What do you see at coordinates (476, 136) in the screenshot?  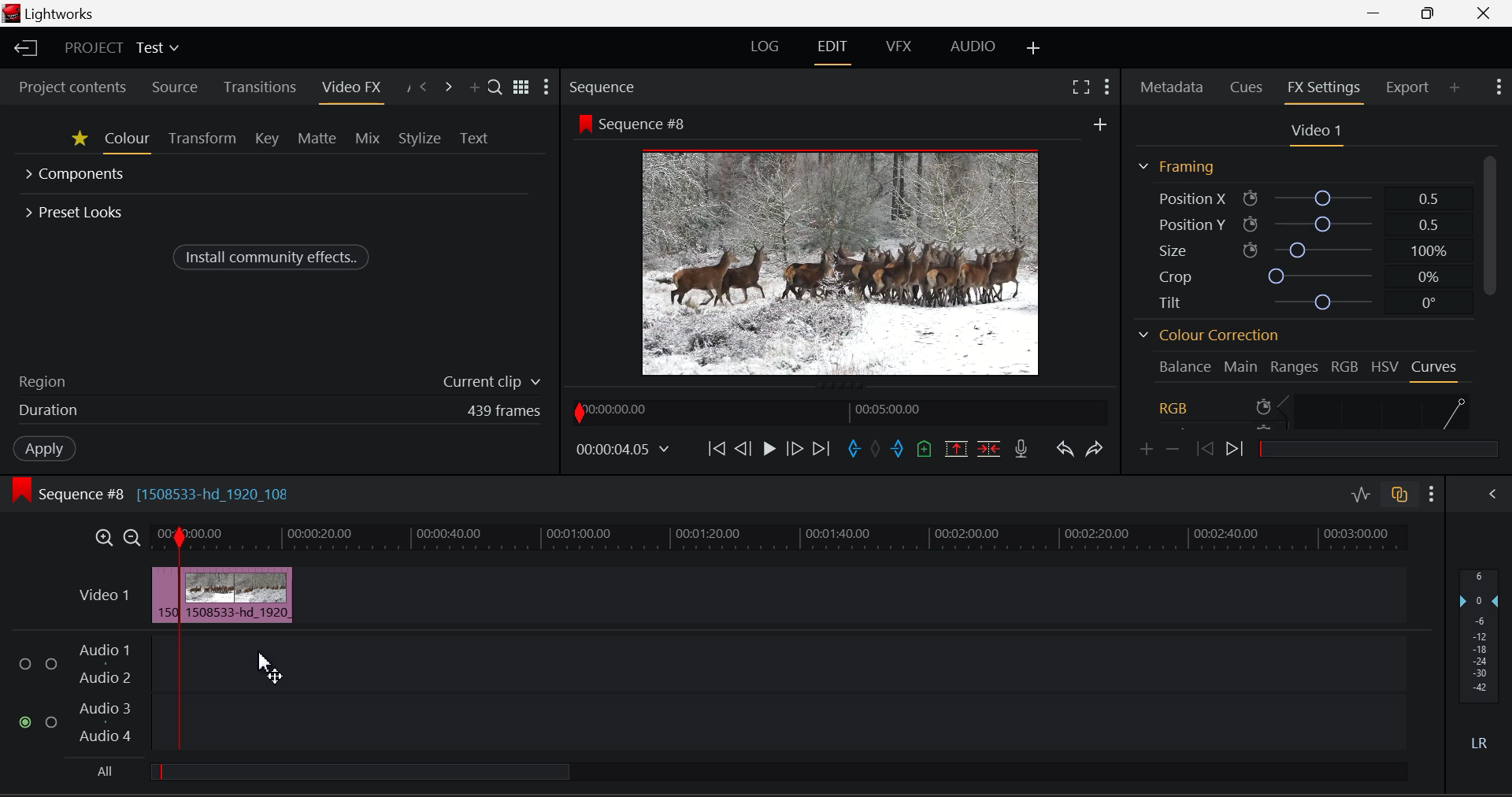 I see `Text` at bounding box center [476, 136].